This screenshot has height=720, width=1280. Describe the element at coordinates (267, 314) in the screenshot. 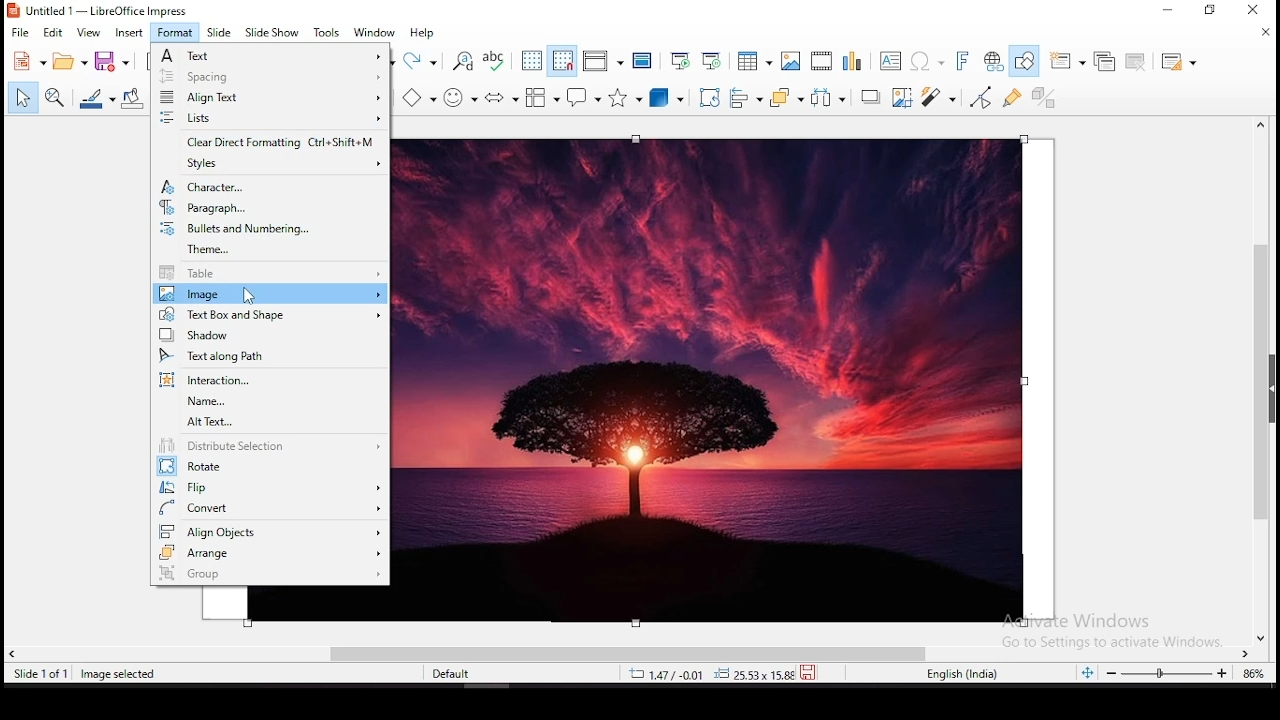

I see `text box and shape` at that location.